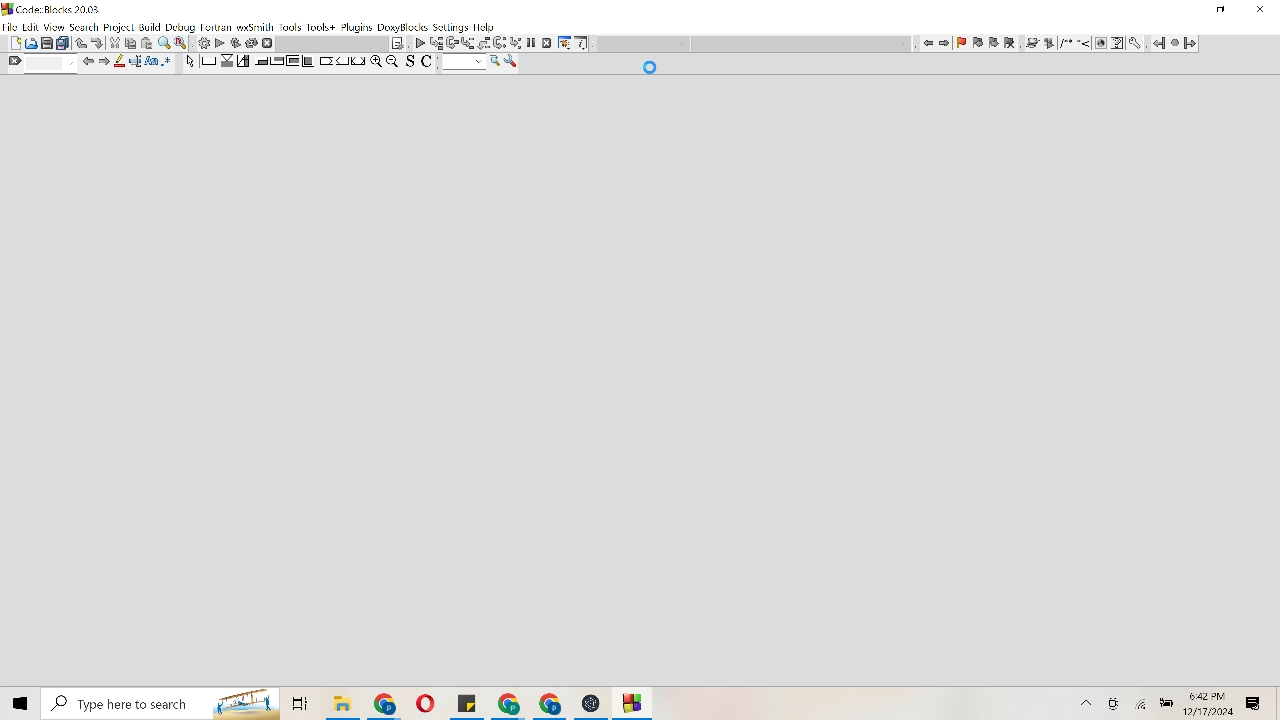 The image size is (1280, 720). What do you see at coordinates (421, 43) in the screenshot?
I see `Play` at bounding box center [421, 43].